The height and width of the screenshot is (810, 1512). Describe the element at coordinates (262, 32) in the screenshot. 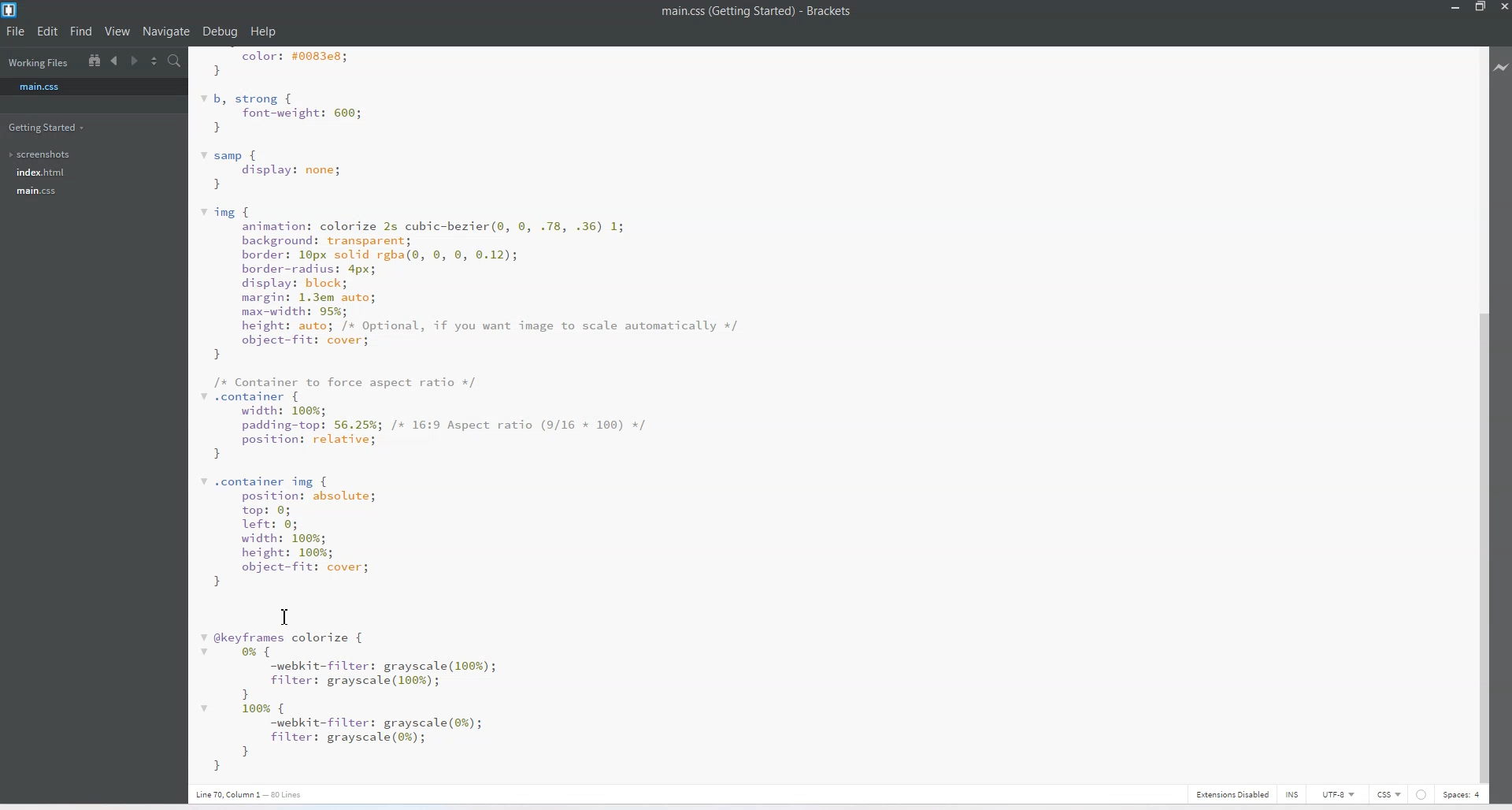

I see `Help` at that location.